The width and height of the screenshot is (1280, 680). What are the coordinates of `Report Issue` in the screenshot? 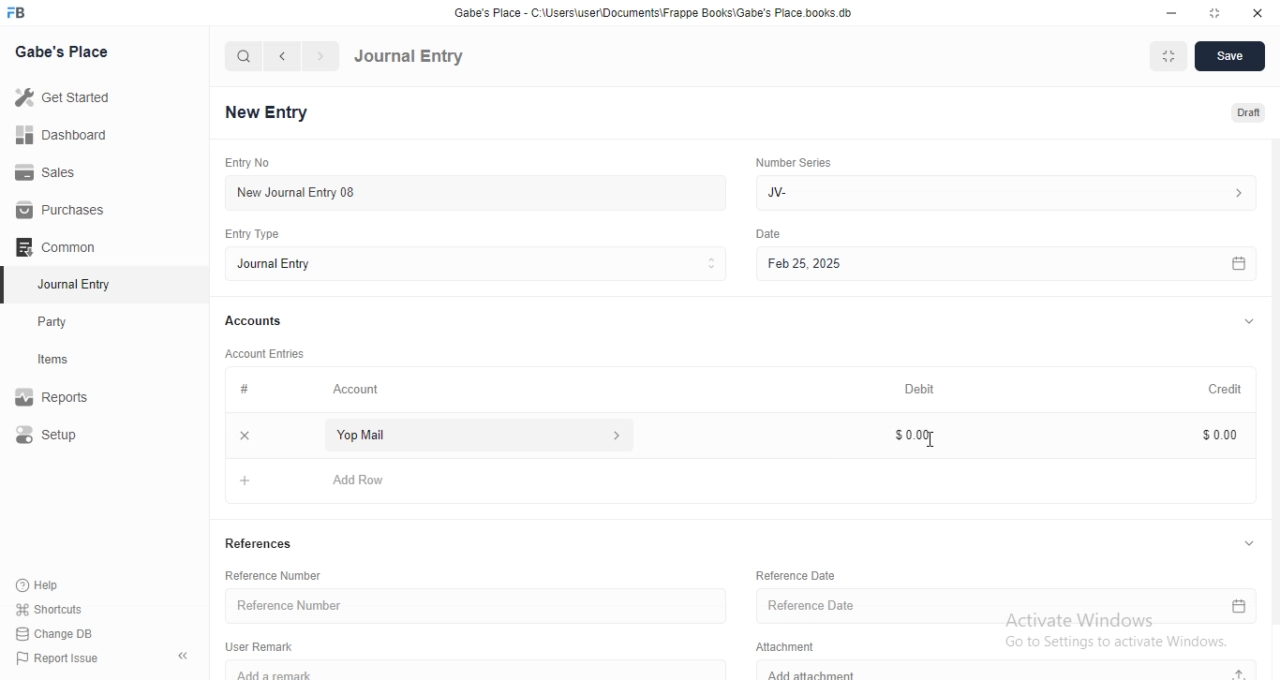 It's located at (67, 658).